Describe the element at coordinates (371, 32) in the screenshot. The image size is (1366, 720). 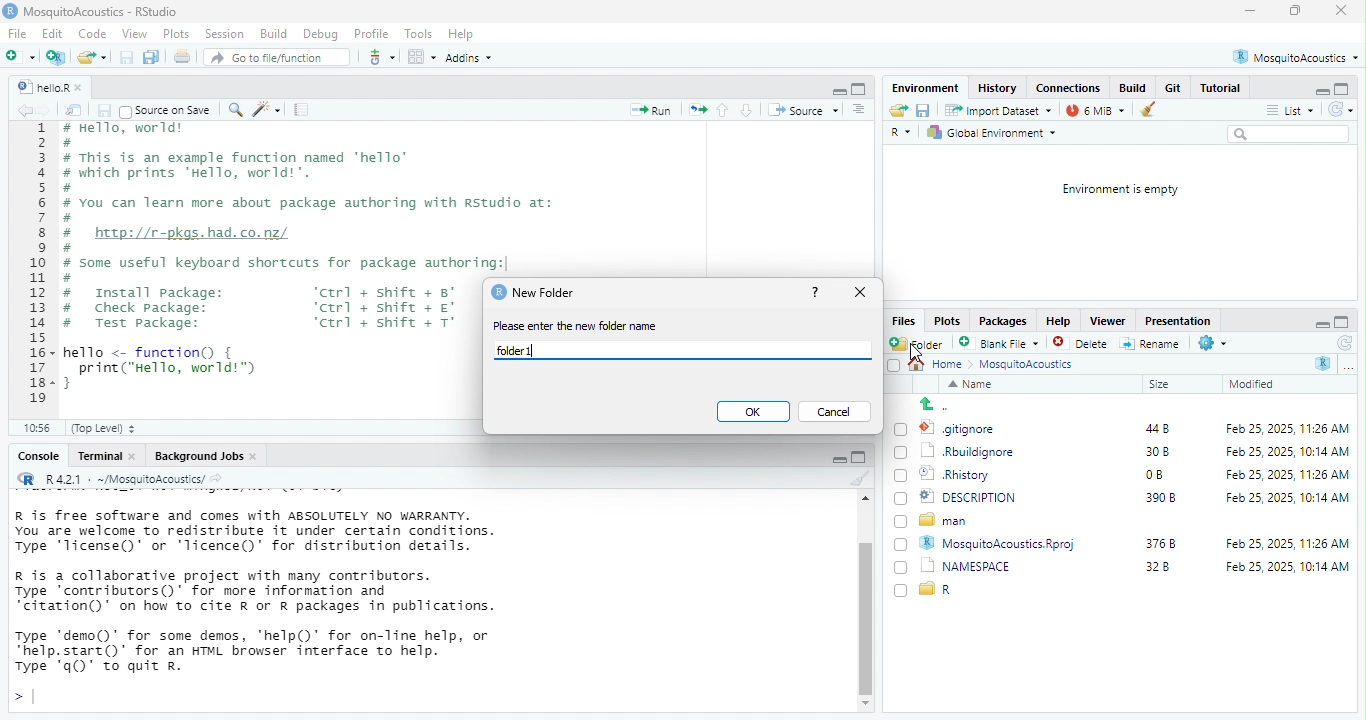
I see `Profile` at that location.